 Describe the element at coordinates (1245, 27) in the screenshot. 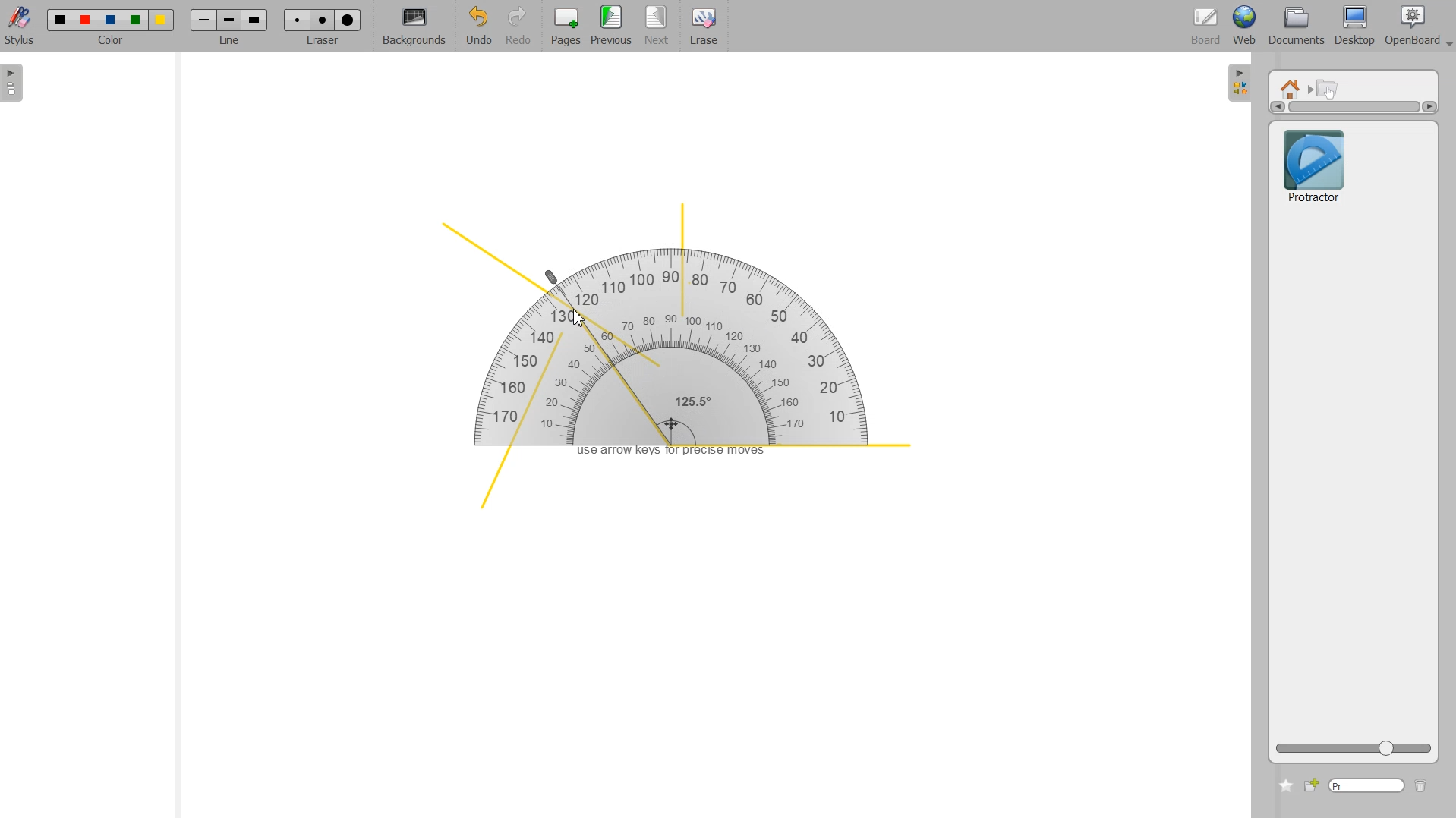

I see `Web` at that location.